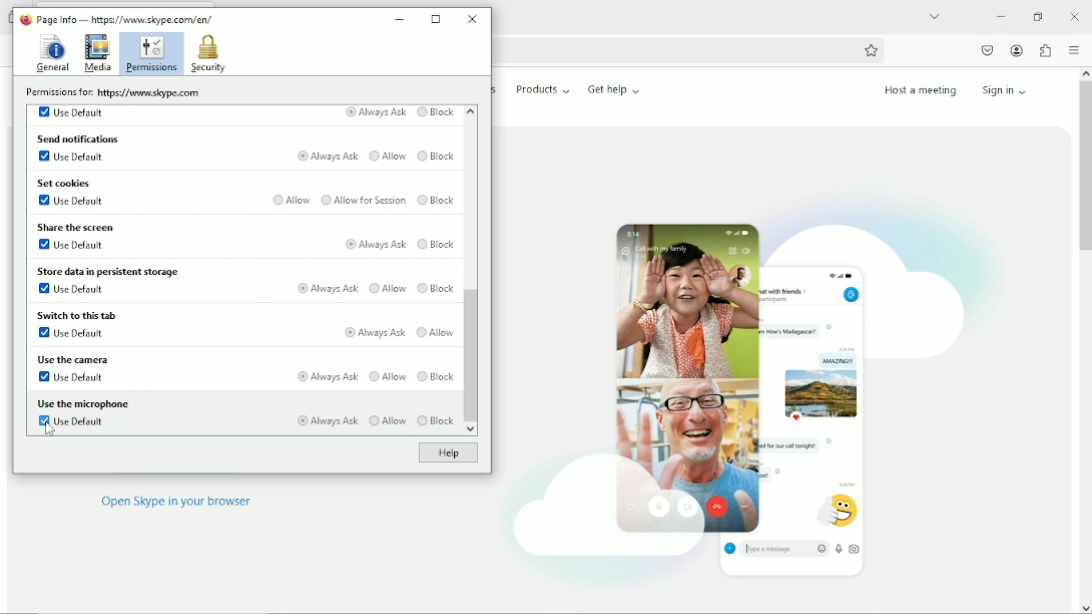 The image size is (1092, 614). I want to click on Media, so click(97, 53).